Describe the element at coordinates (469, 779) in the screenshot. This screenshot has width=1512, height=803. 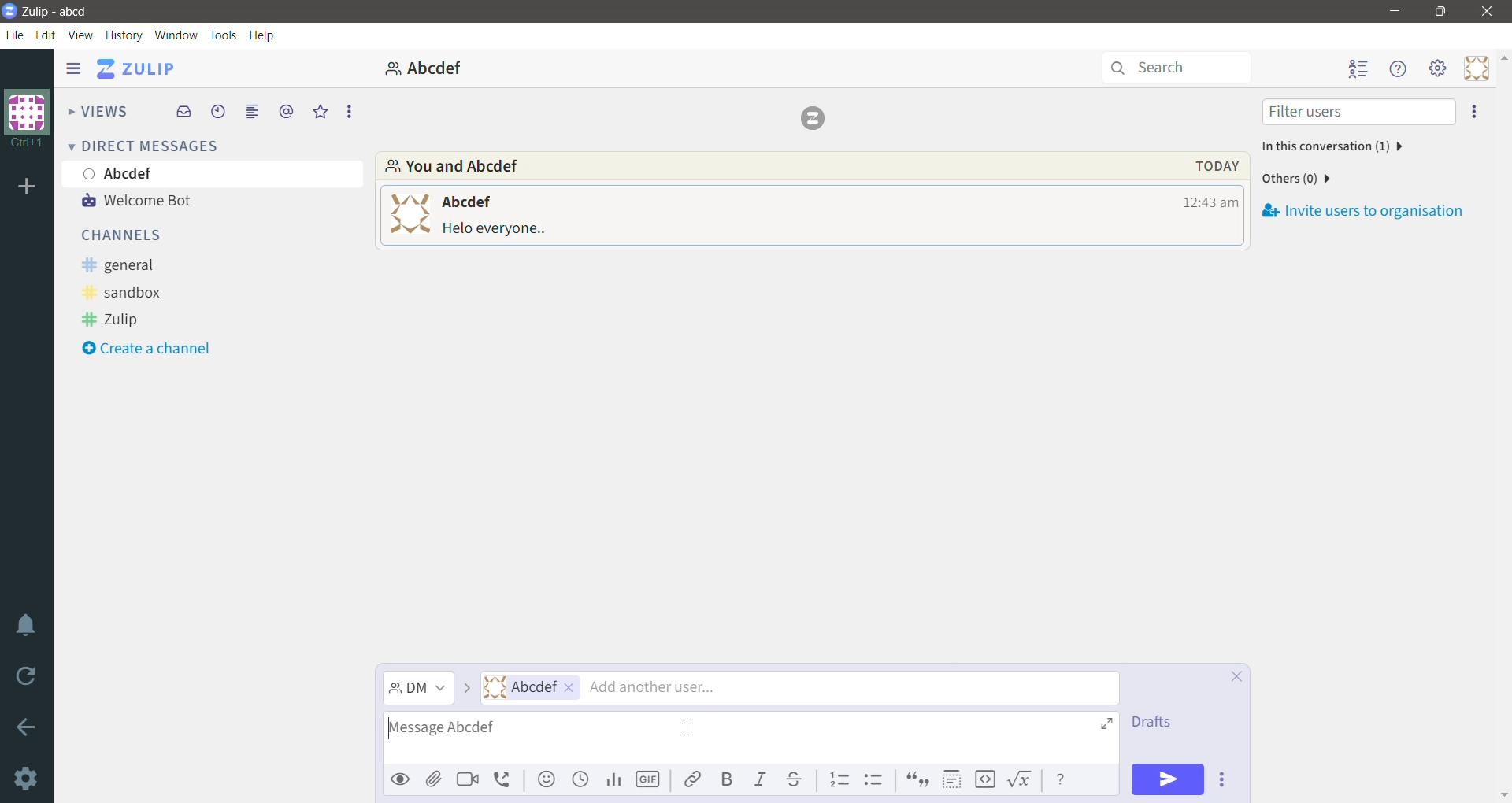
I see `Add video call` at that location.